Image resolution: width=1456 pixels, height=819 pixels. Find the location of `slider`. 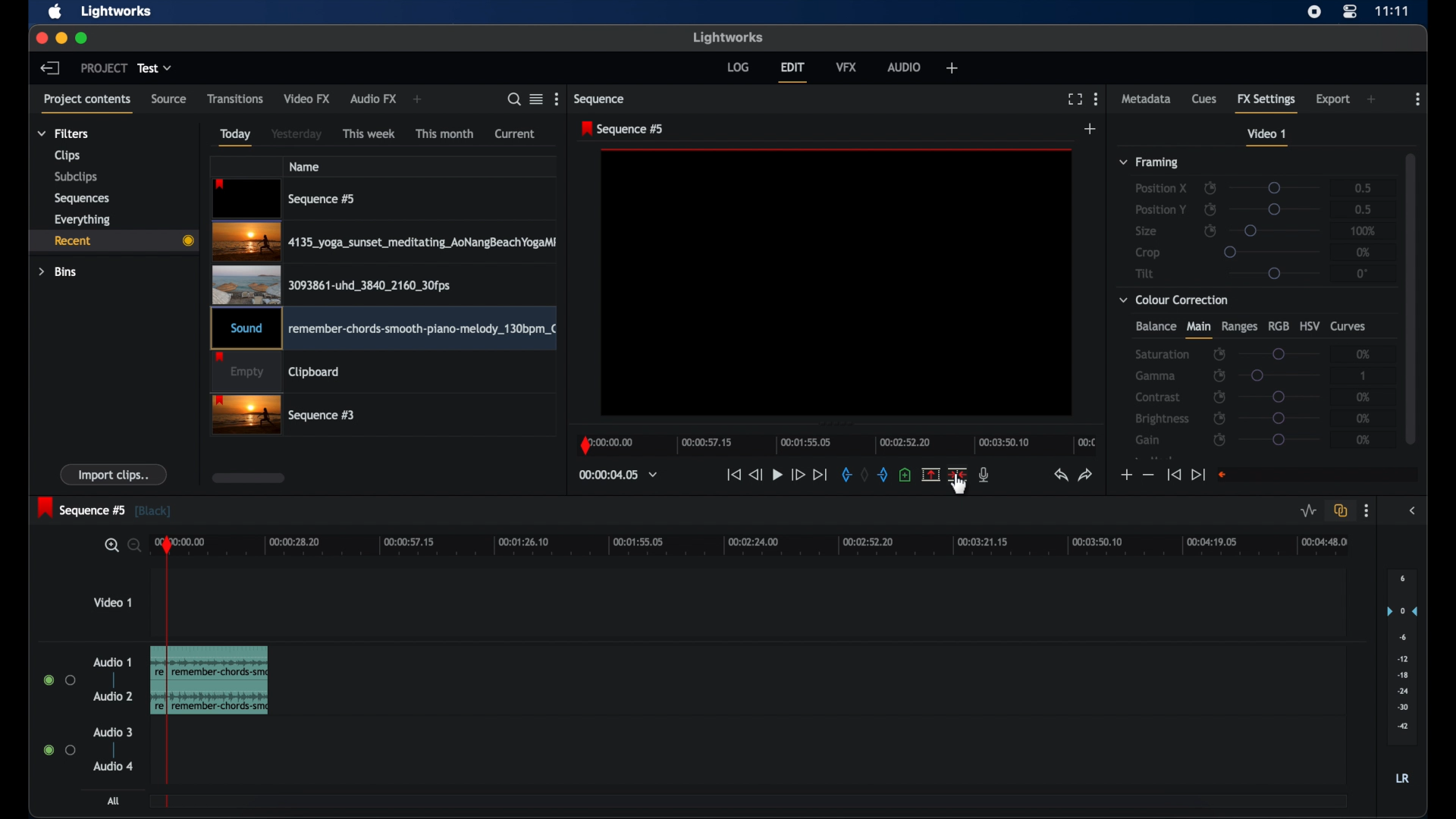

slider is located at coordinates (1274, 274).